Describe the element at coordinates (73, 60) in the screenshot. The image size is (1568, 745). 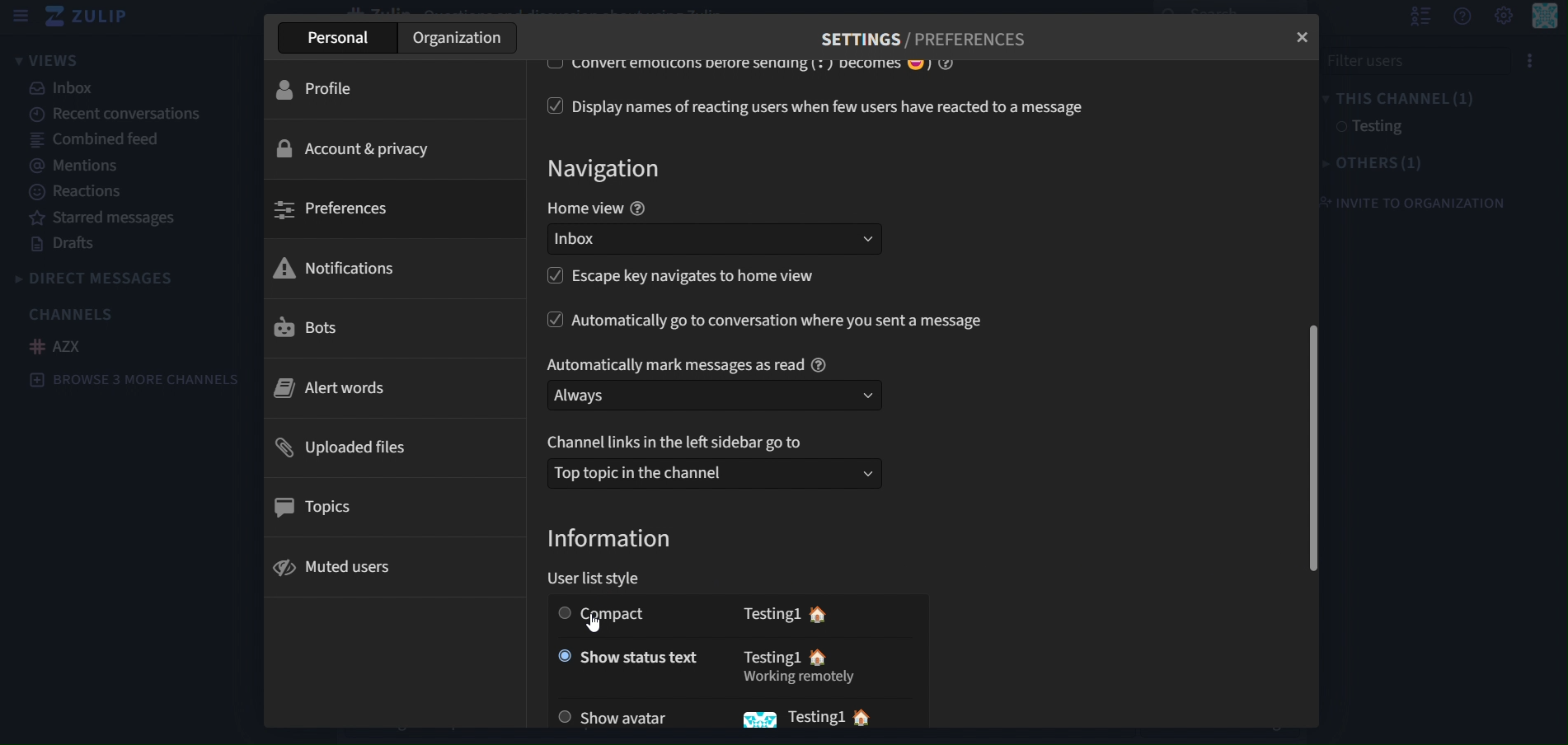
I see `views` at that location.